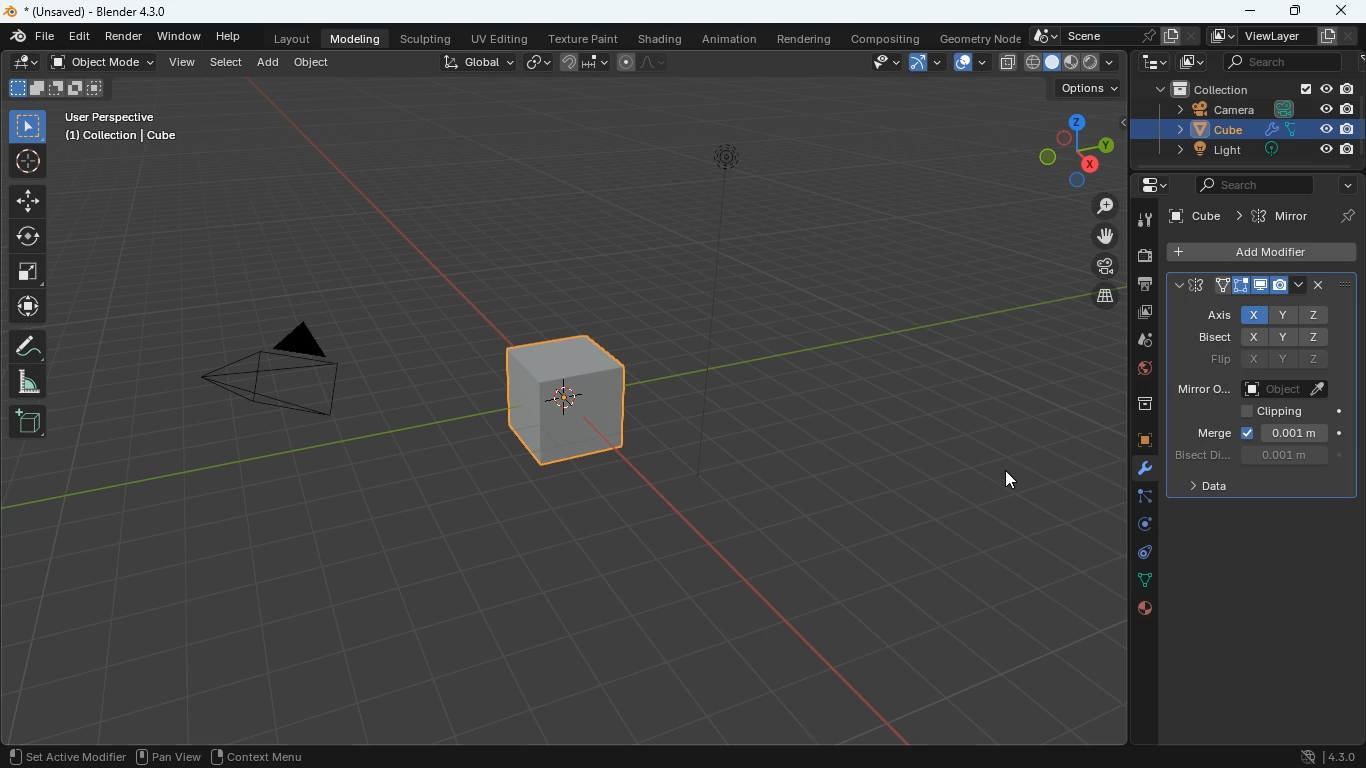 This screenshot has height=768, width=1366. I want to click on rendering, so click(804, 38).